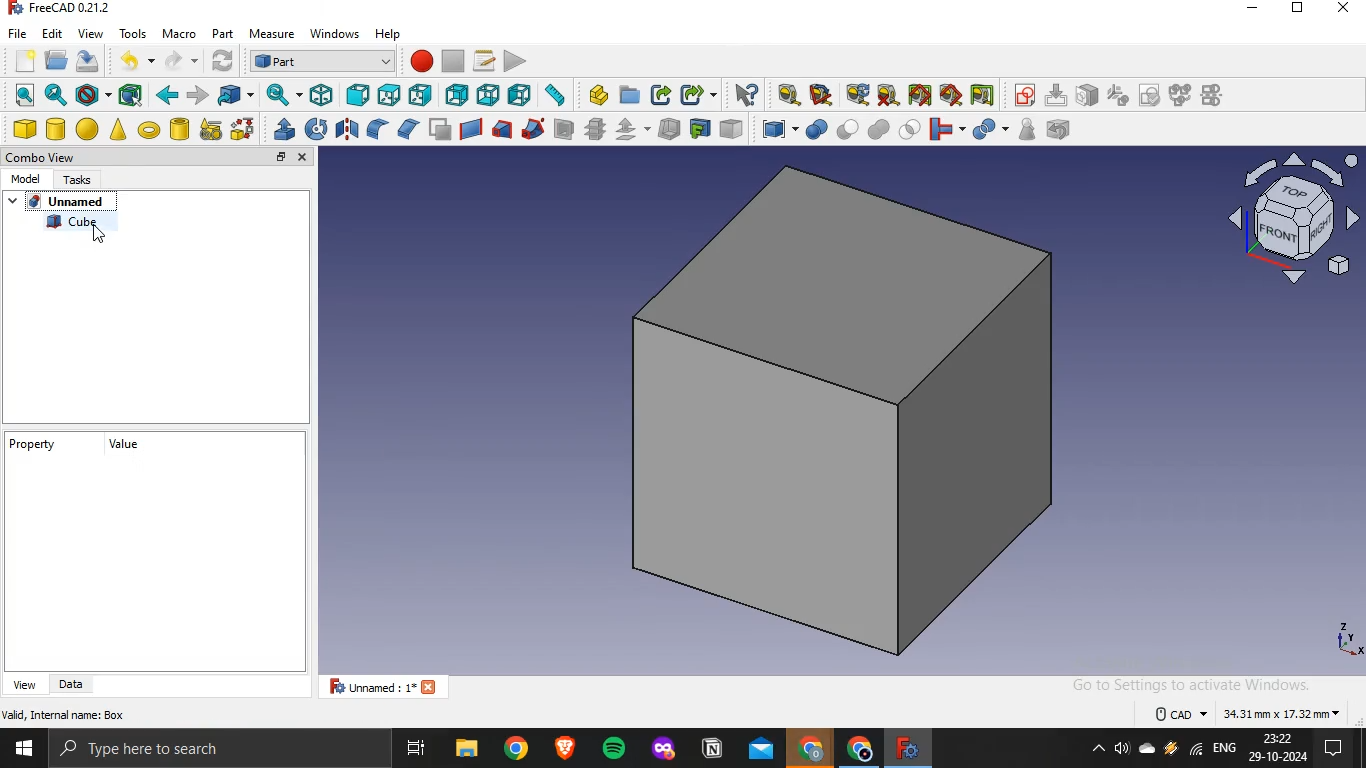 Image resolution: width=1366 pixels, height=768 pixels. What do you see at coordinates (810, 750) in the screenshot?
I see `google chrome` at bounding box center [810, 750].